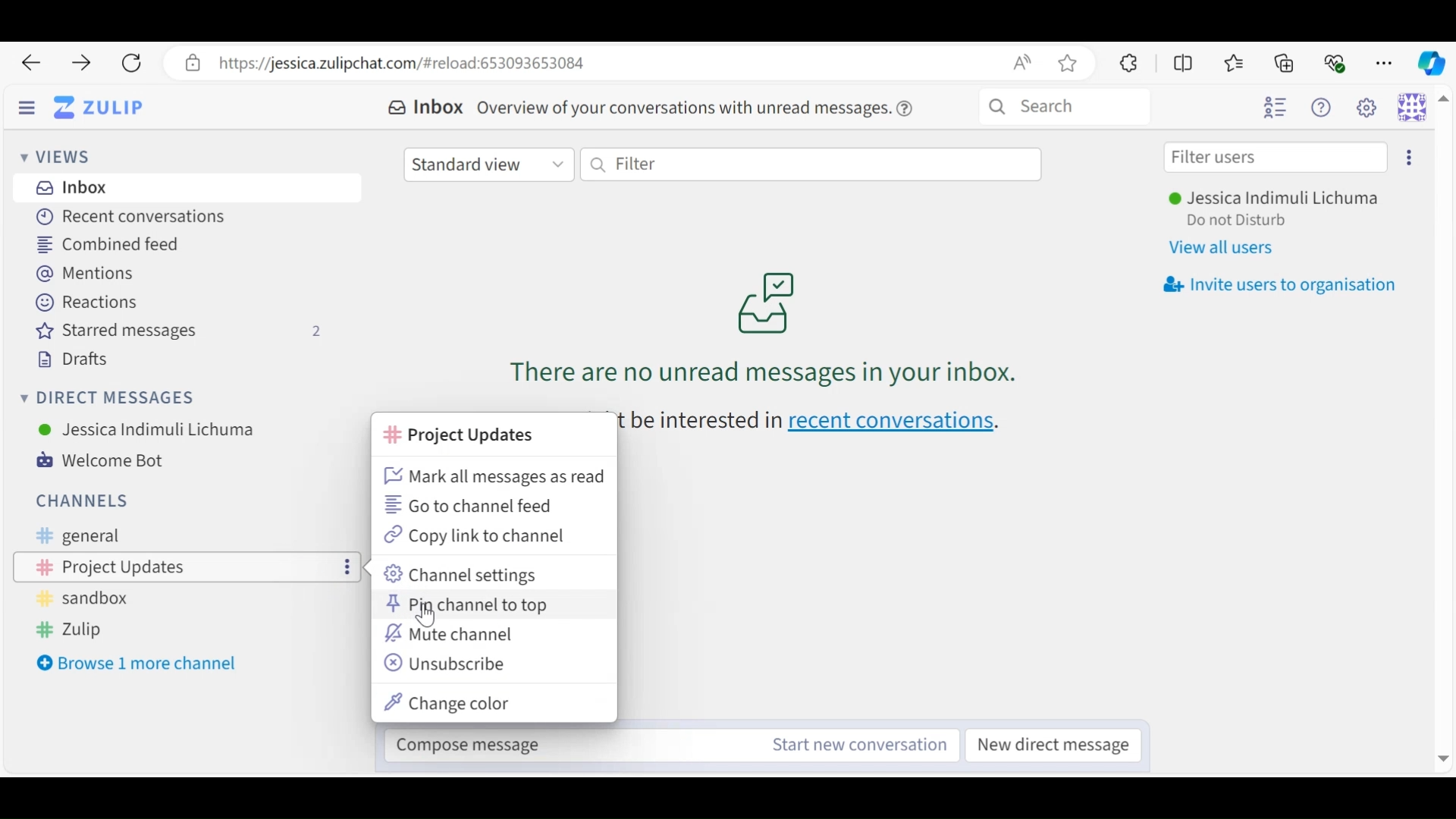  What do you see at coordinates (151, 565) in the screenshot?
I see `Channel` at bounding box center [151, 565].